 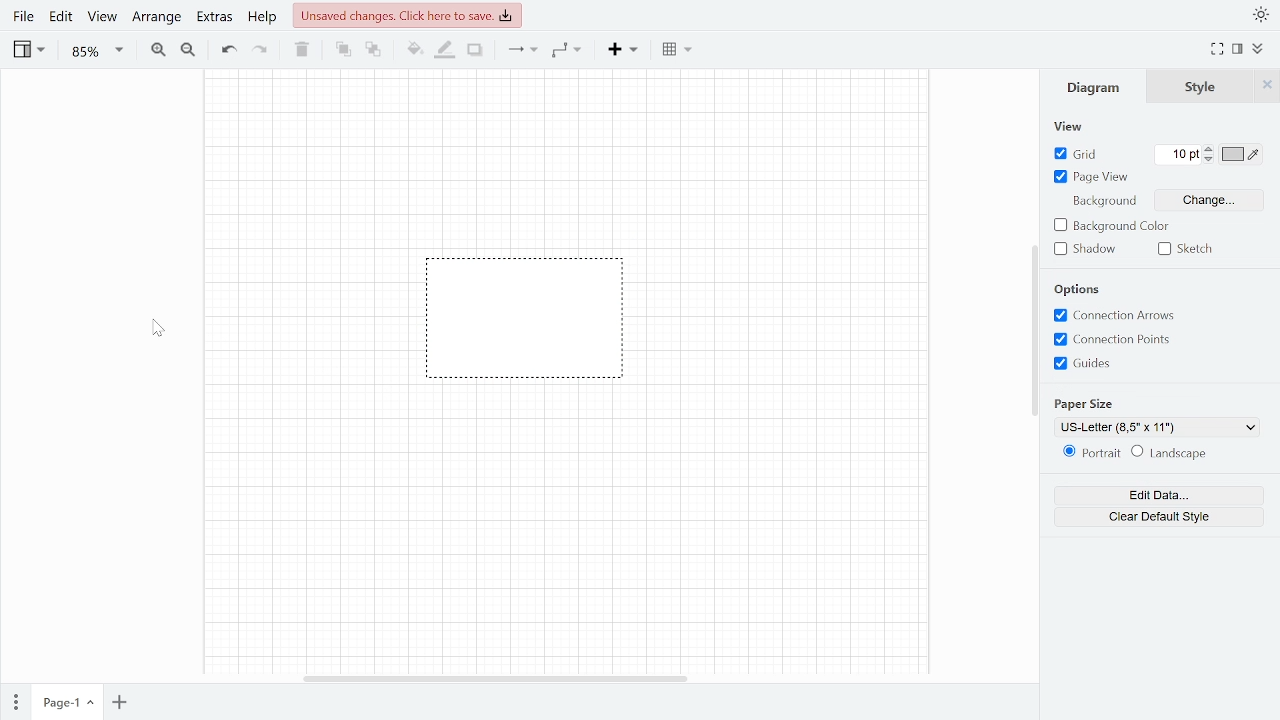 I want to click on Unsaved changes. Click here to save., so click(x=408, y=13).